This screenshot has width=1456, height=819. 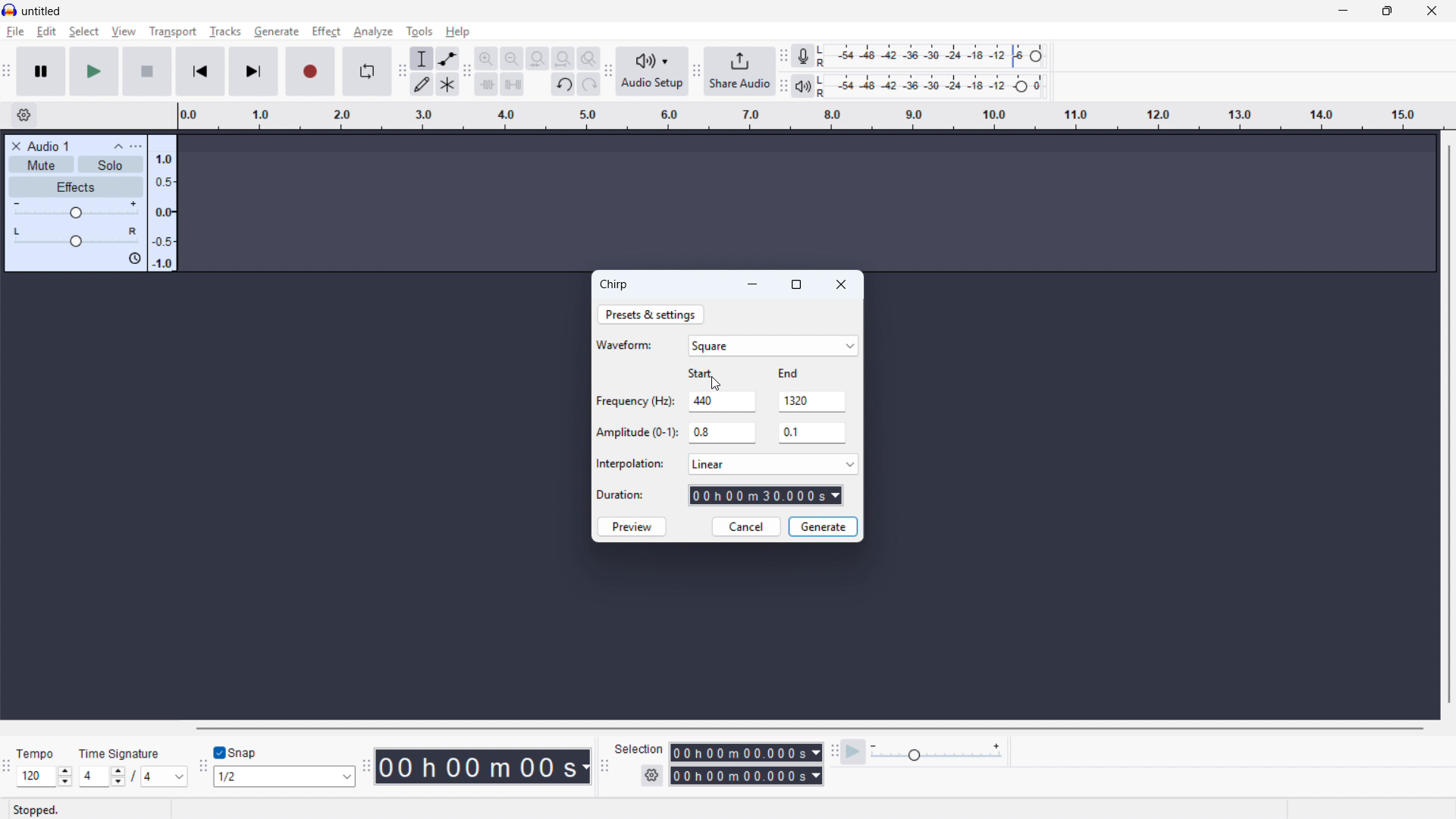 What do you see at coordinates (121, 753) in the screenshot?
I see `Time signature` at bounding box center [121, 753].